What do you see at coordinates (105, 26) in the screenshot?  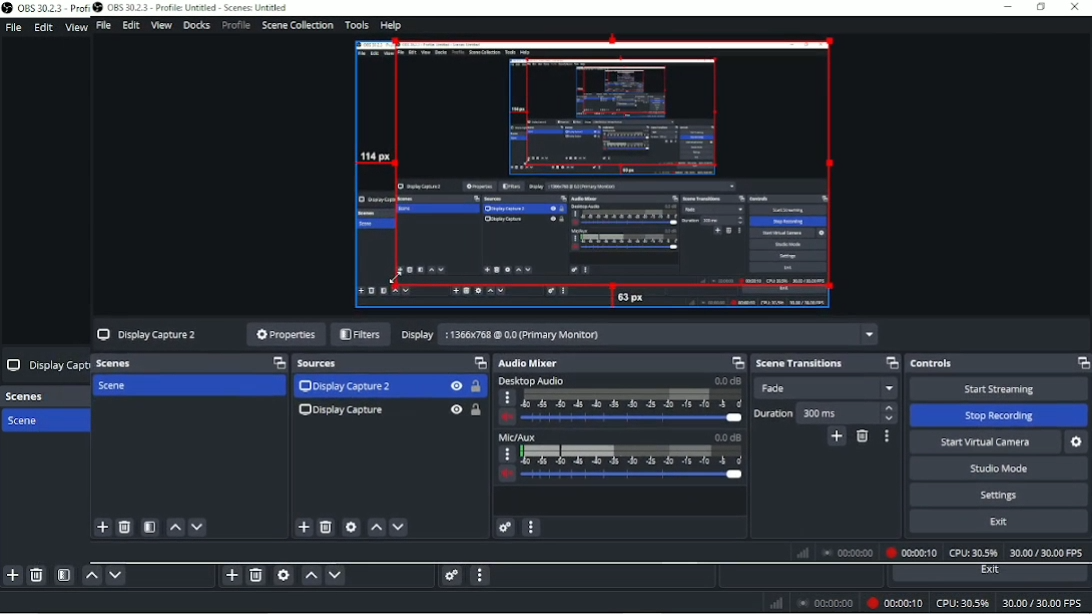 I see `File` at bounding box center [105, 26].